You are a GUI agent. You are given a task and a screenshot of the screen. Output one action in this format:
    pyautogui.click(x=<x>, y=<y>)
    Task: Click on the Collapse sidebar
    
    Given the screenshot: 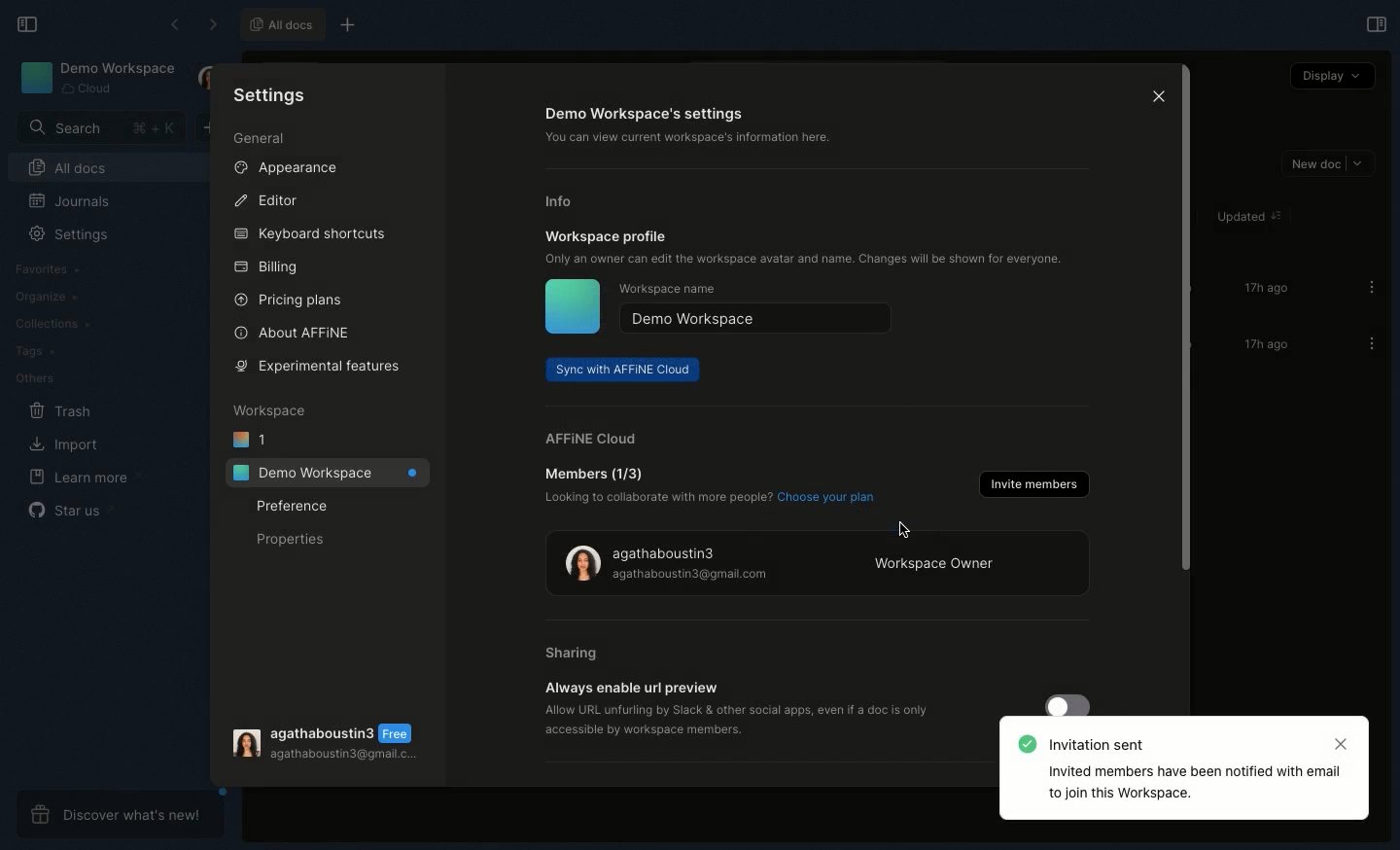 What is the action you would take?
    pyautogui.click(x=26, y=23)
    